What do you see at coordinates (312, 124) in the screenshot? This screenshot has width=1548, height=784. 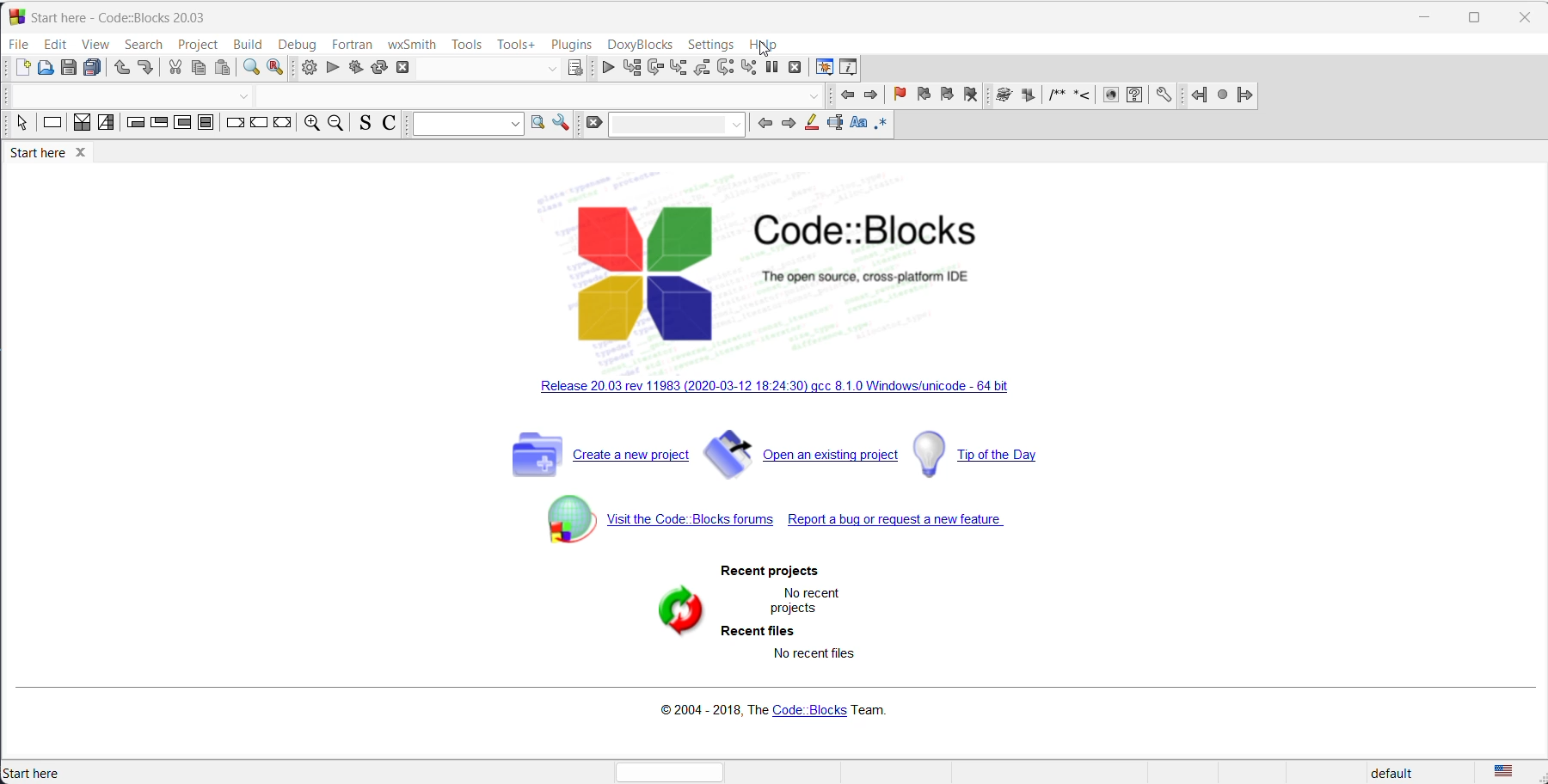 I see `zoom in` at bounding box center [312, 124].